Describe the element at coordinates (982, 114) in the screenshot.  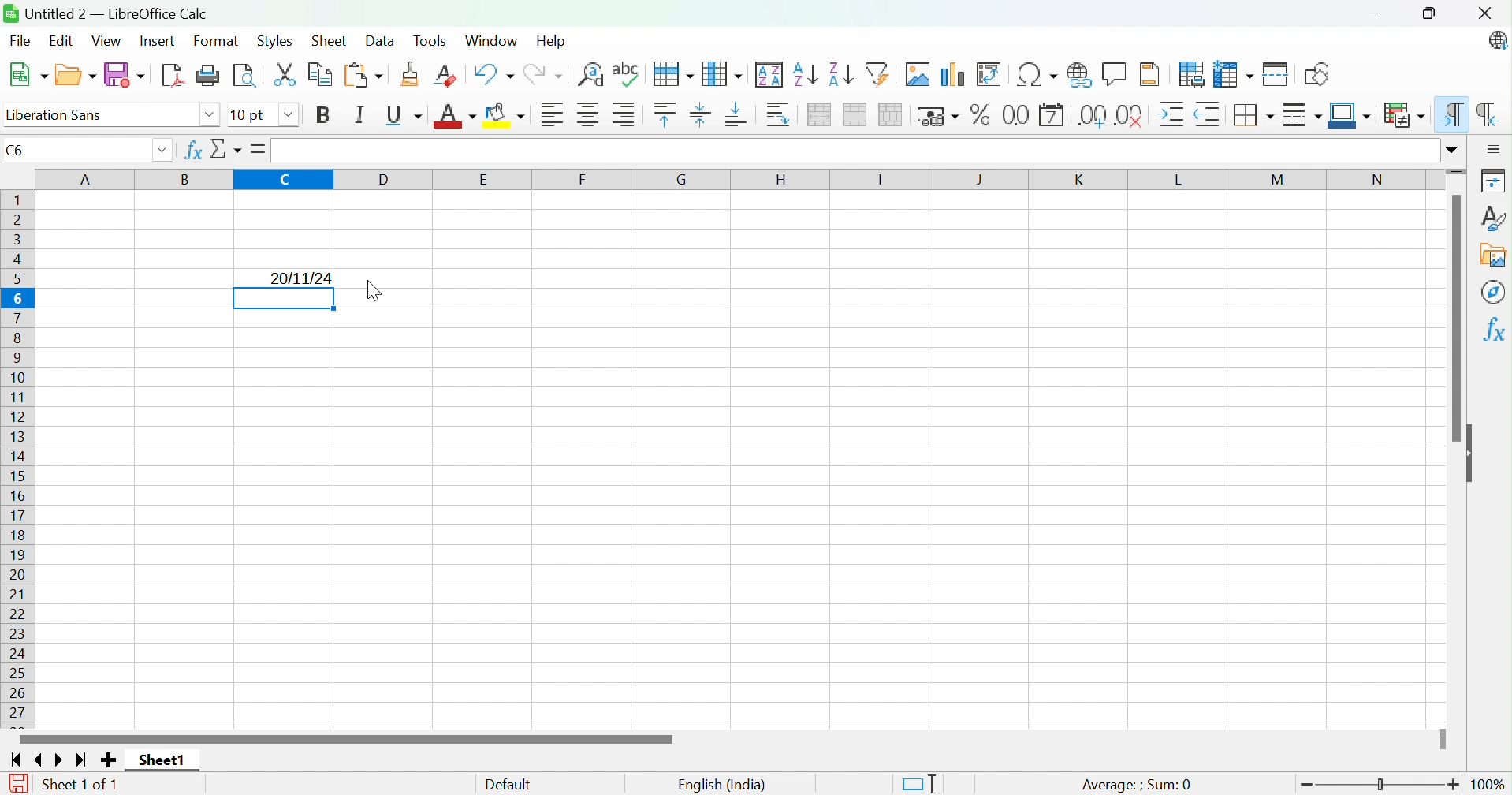
I see `Format as percent` at that location.